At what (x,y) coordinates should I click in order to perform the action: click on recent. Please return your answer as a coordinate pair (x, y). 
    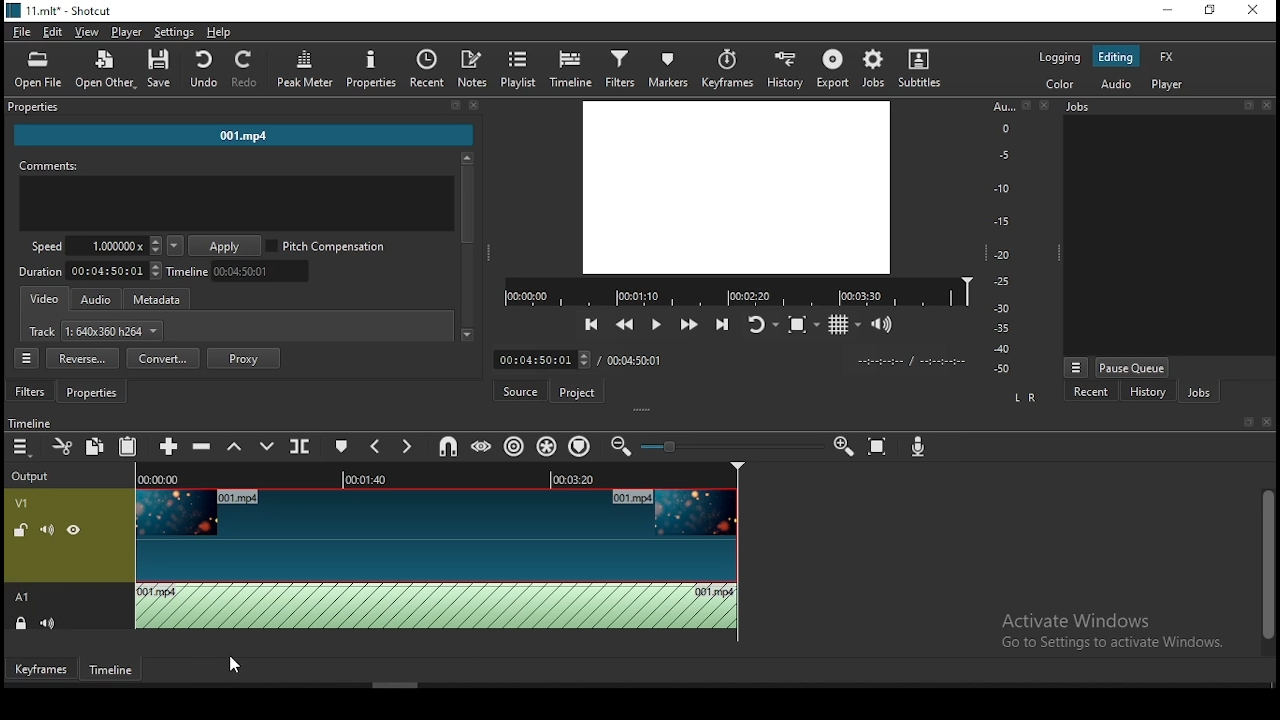
    Looking at the image, I should click on (1091, 394).